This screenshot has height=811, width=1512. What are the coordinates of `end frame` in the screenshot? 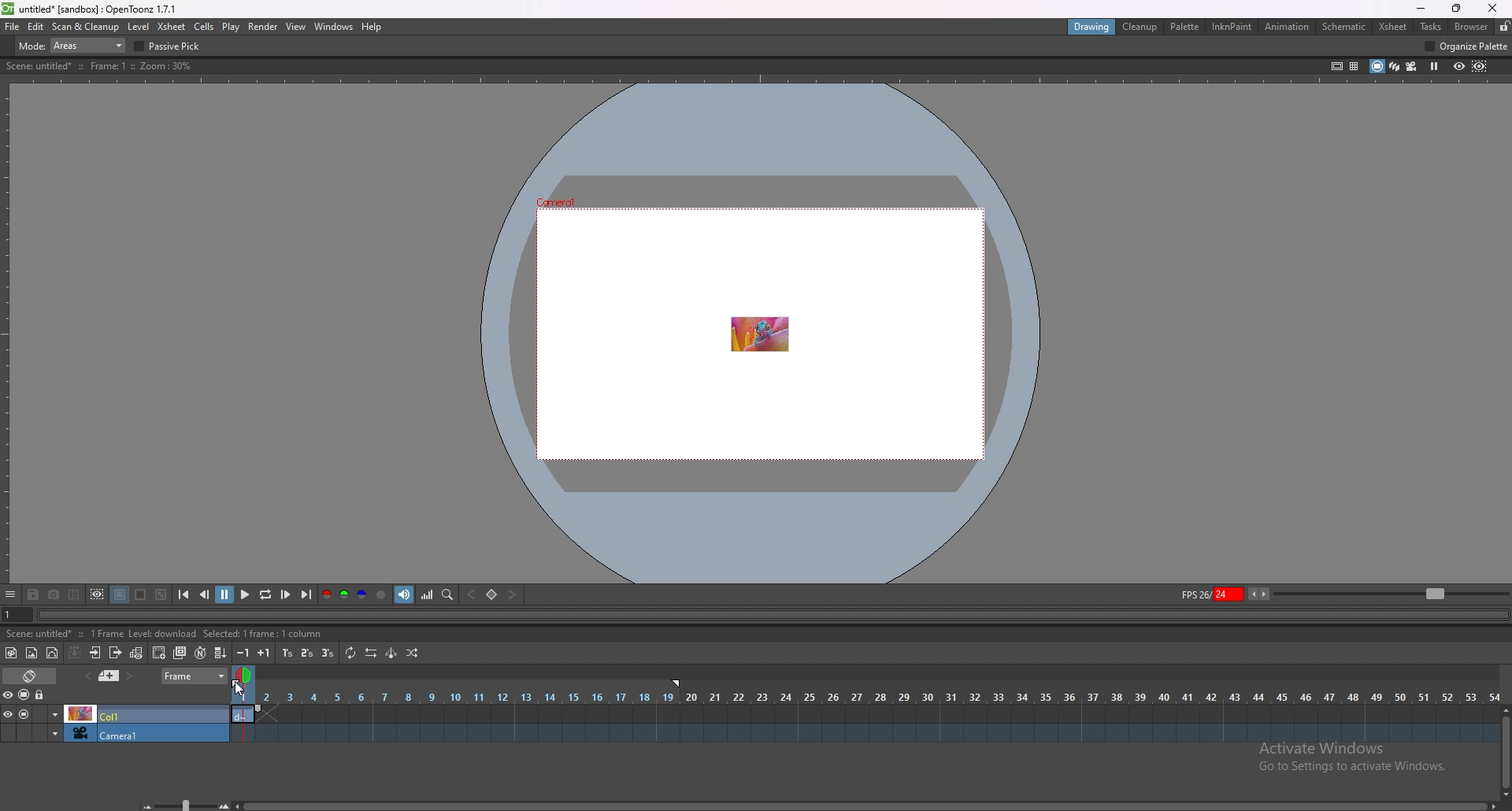 It's located at (680, 683).